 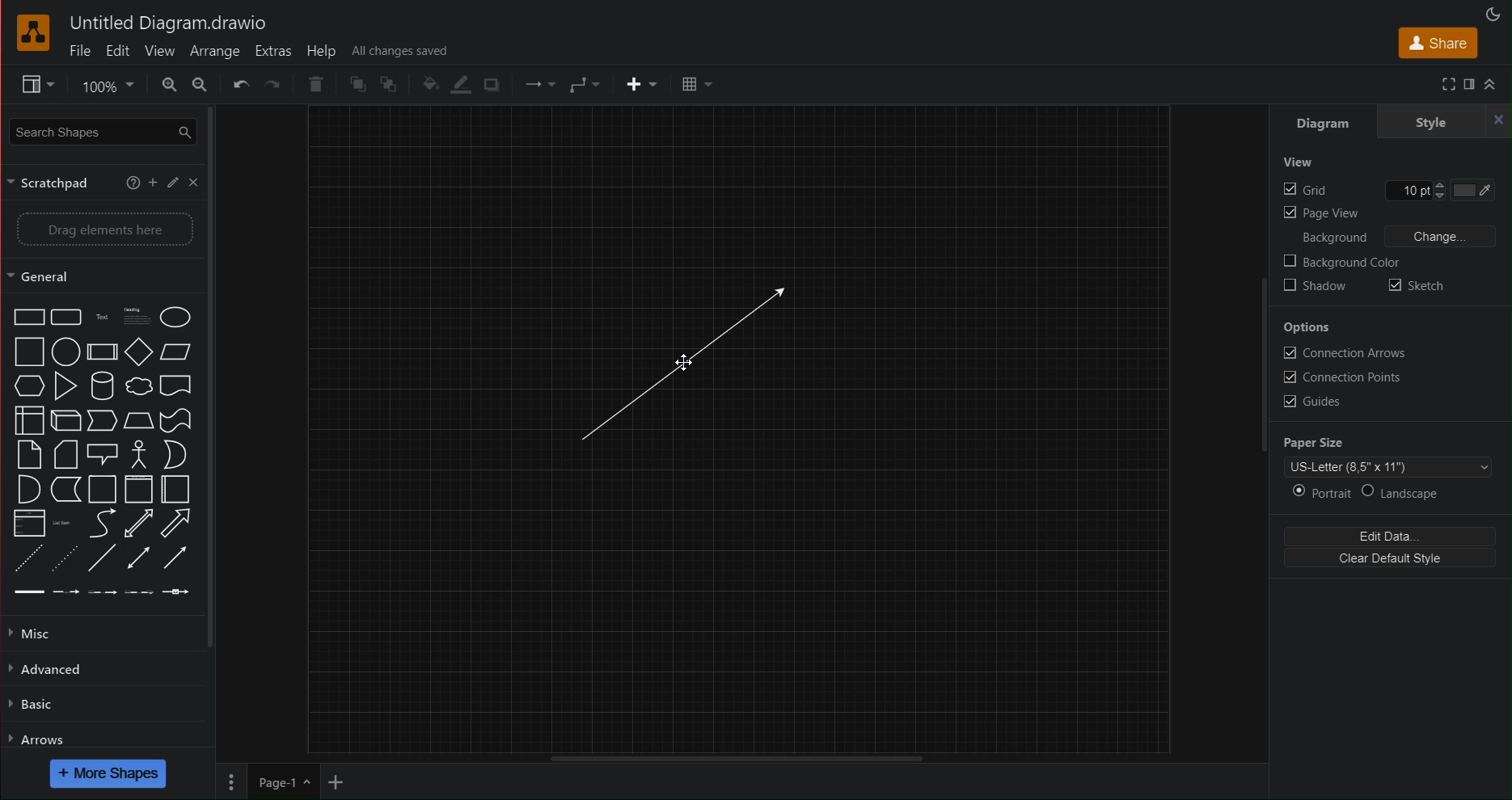 What do you see at coordinates (50, 276) in the screenshot?
I see `General` at bounding box center [50, 276].